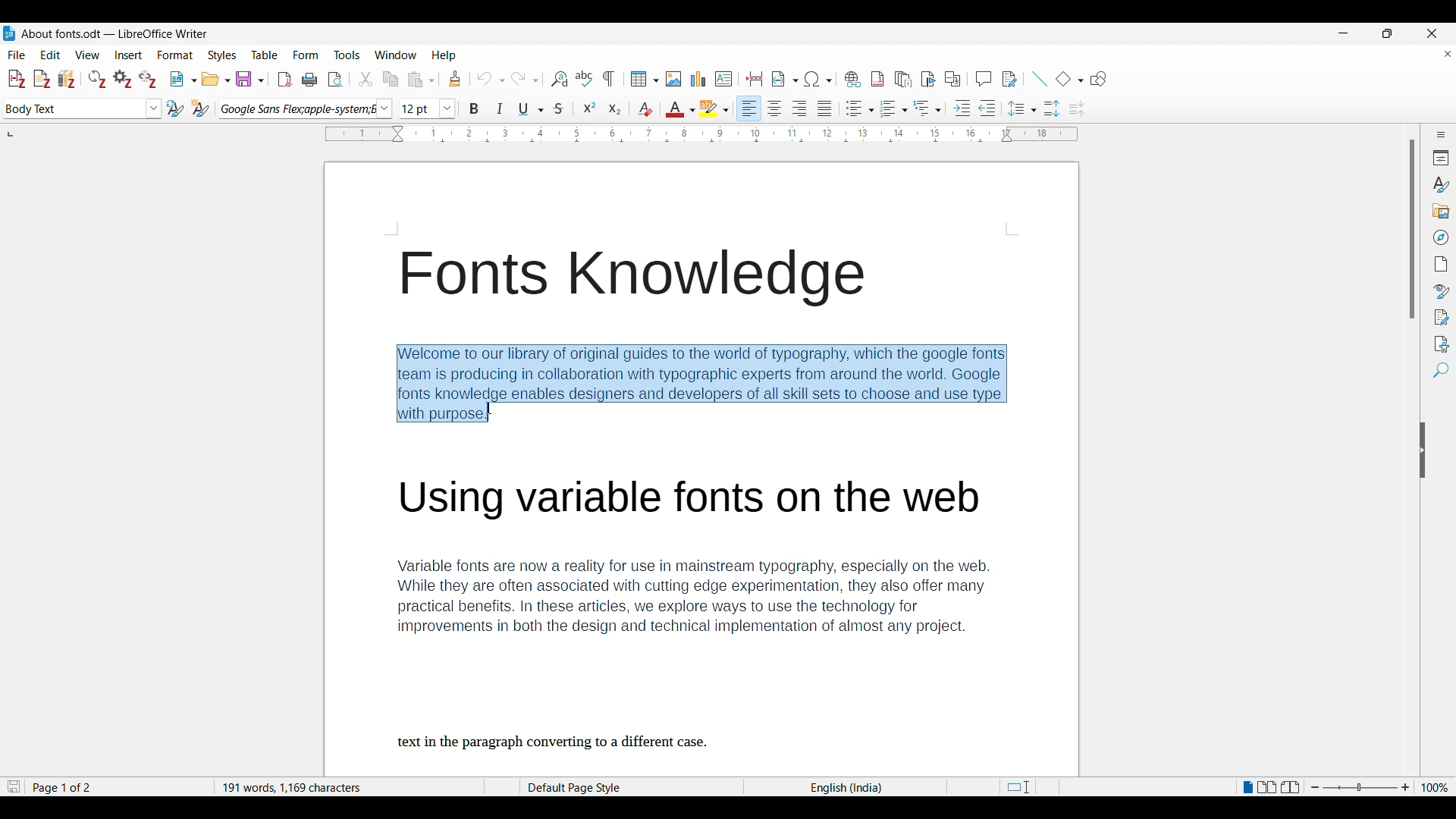 The image size is (1456, 819). I want to click on Insert bookmark, so click(929, 80).